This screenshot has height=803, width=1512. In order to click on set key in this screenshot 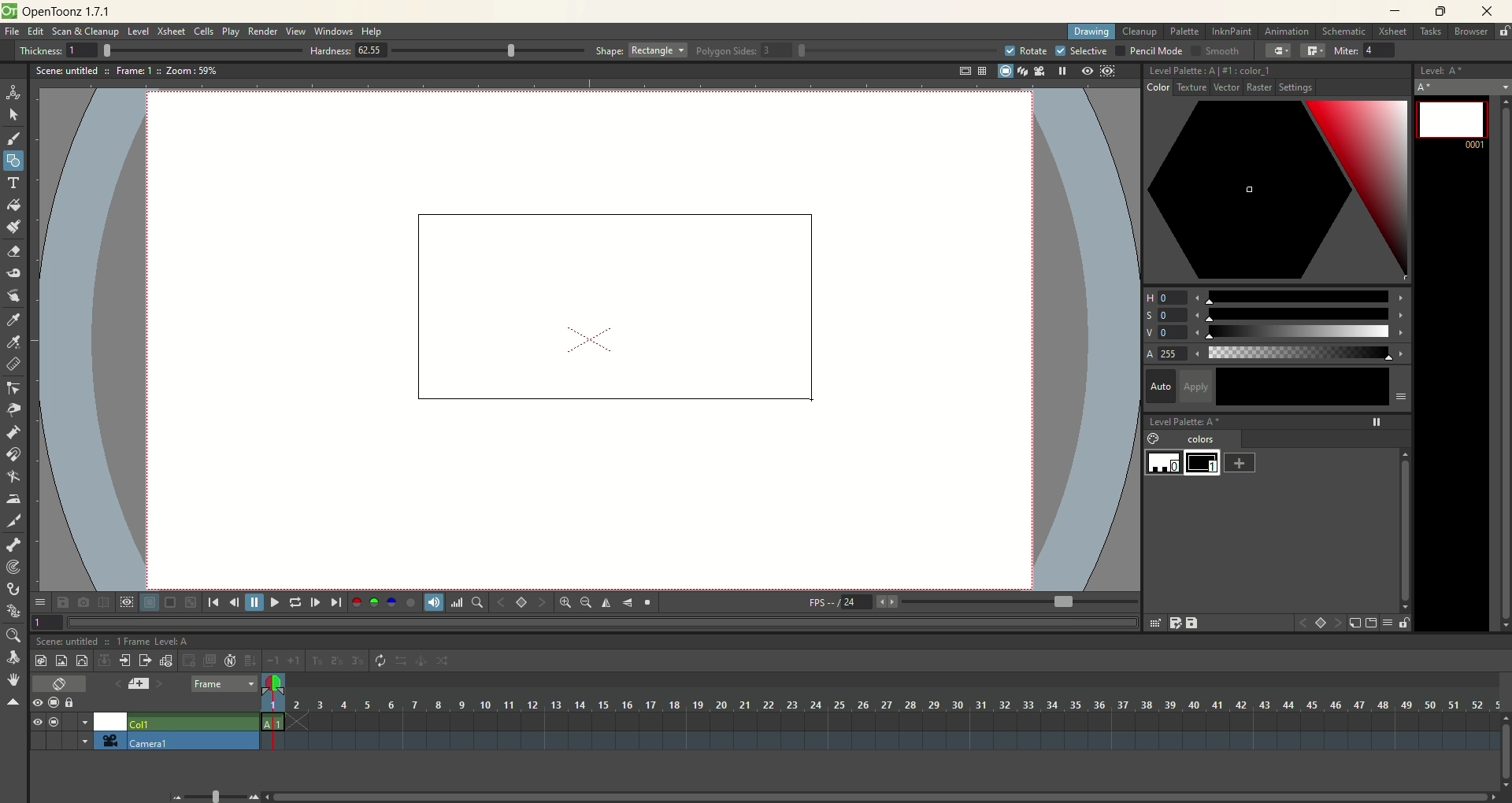, I will do `click(1322, 624)`.